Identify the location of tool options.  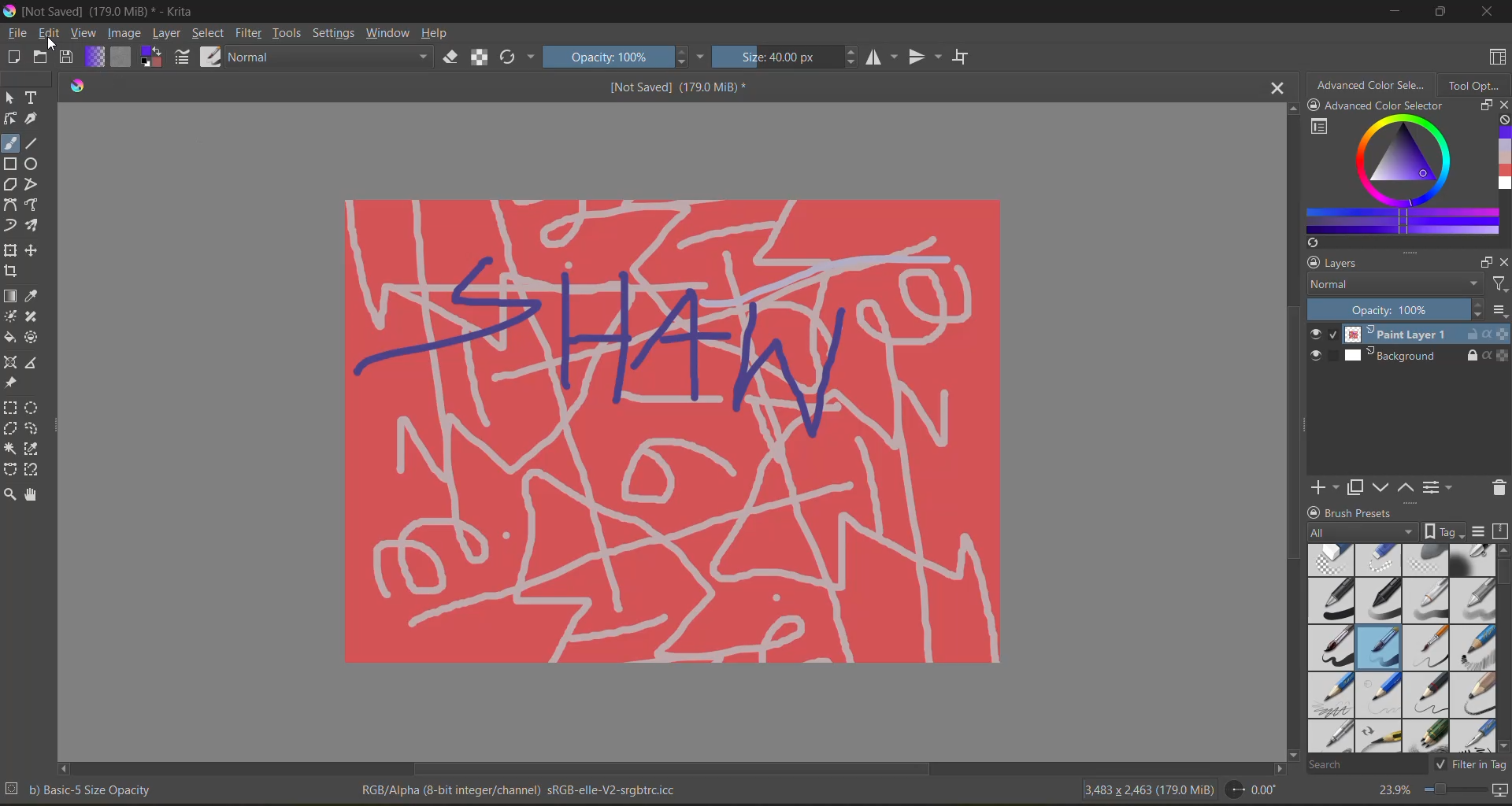
(1473, 84).